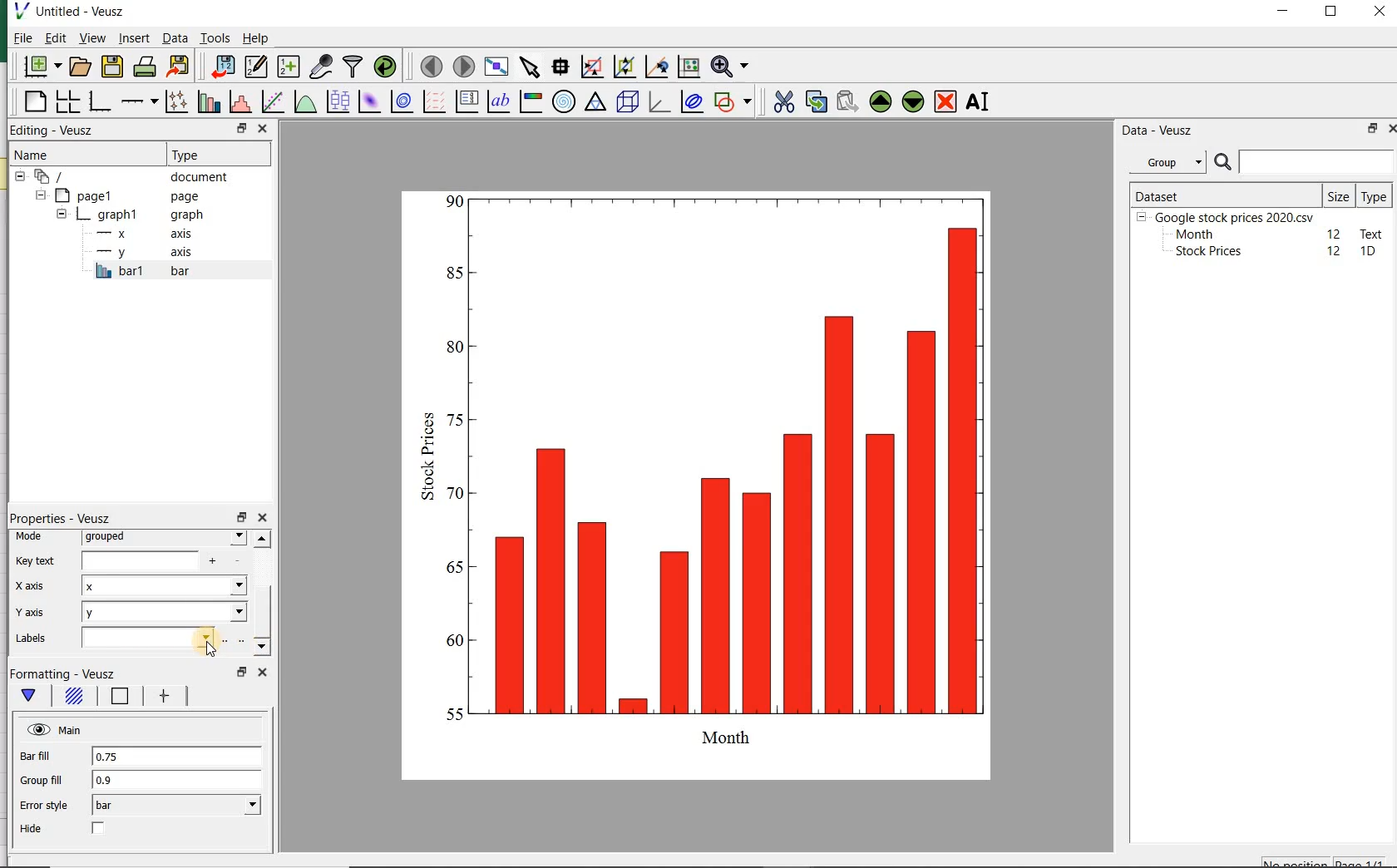 Image resolution: width=1397 pixels, height=868 pixels. Describe the element at coordinates (595, 103) in the screenshot. I see `ternary graph` at that location.